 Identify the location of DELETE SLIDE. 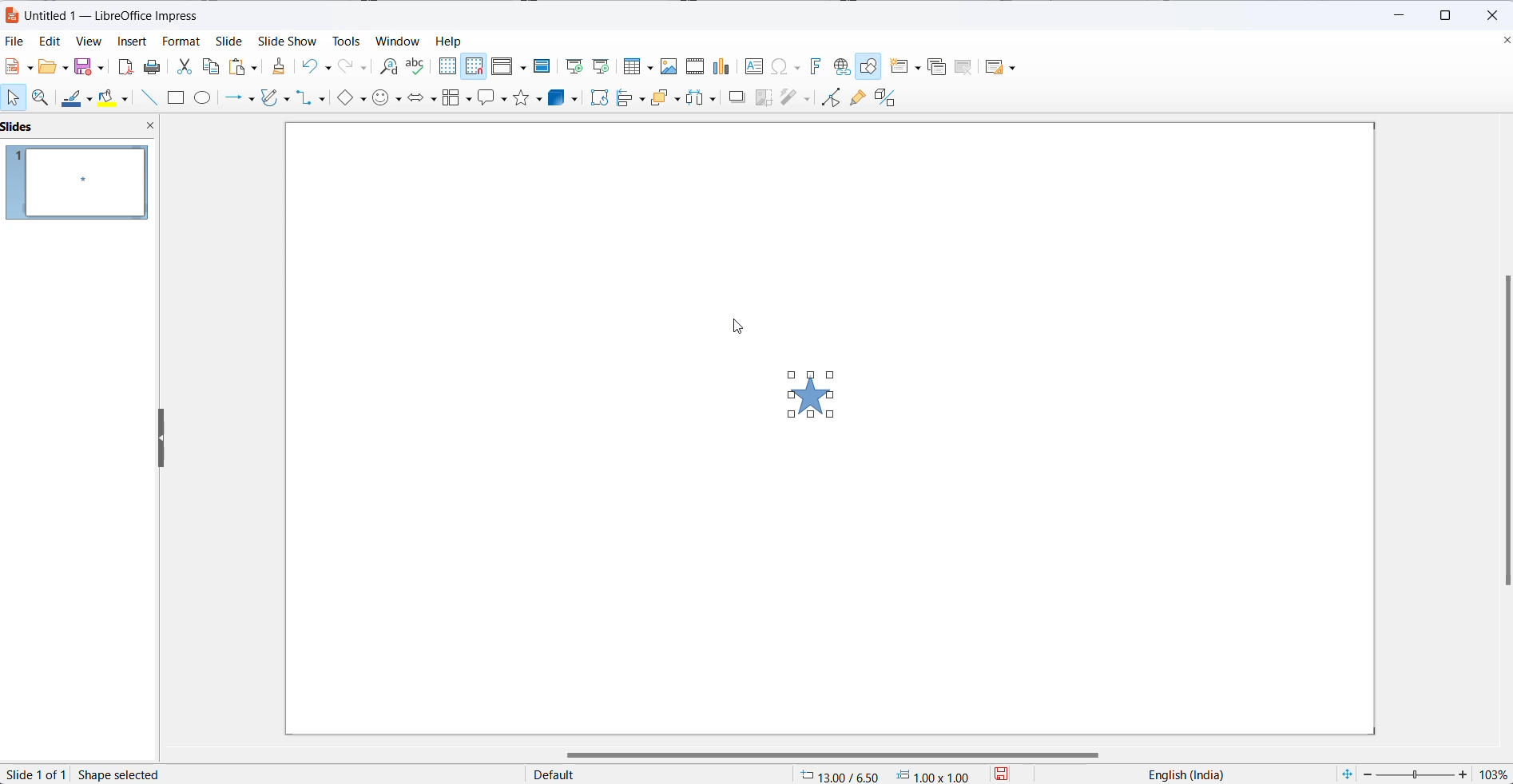
(964, 69).